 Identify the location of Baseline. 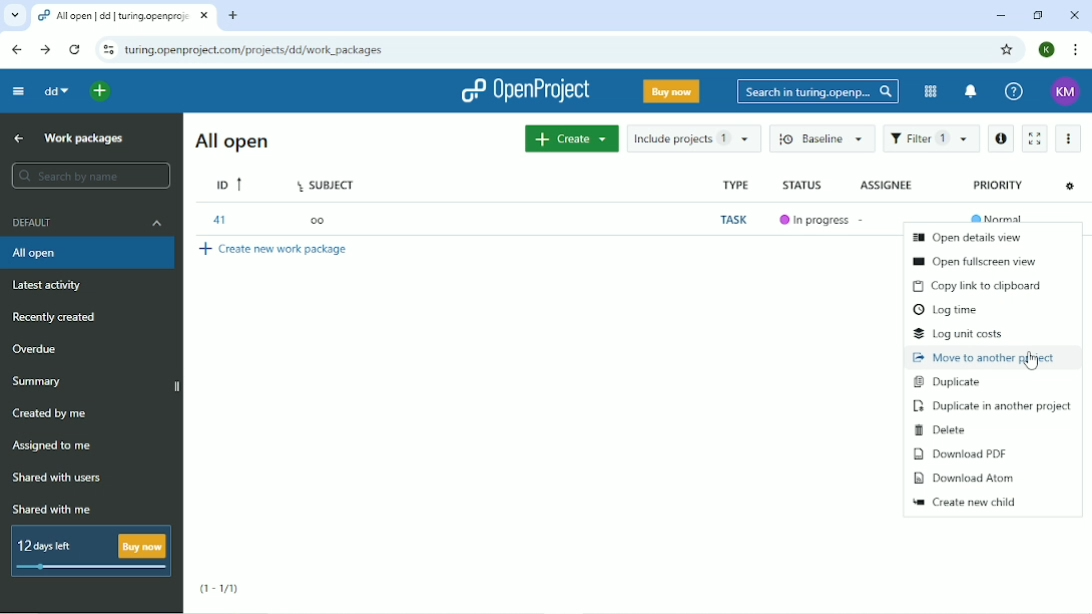
(823, 139).